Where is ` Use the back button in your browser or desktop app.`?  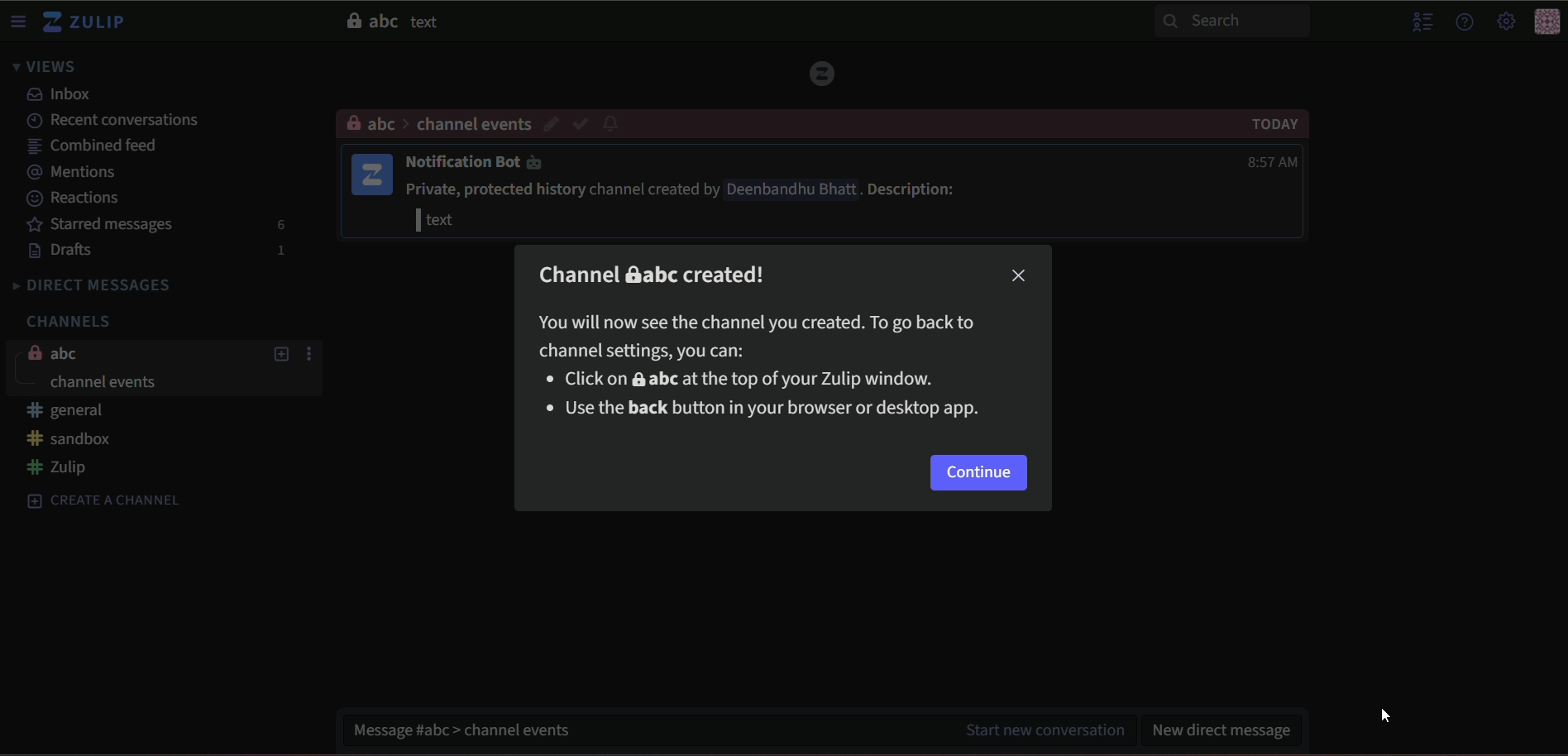  Use the back button in your browser or desktop app. is located at coordinates (762, 410).